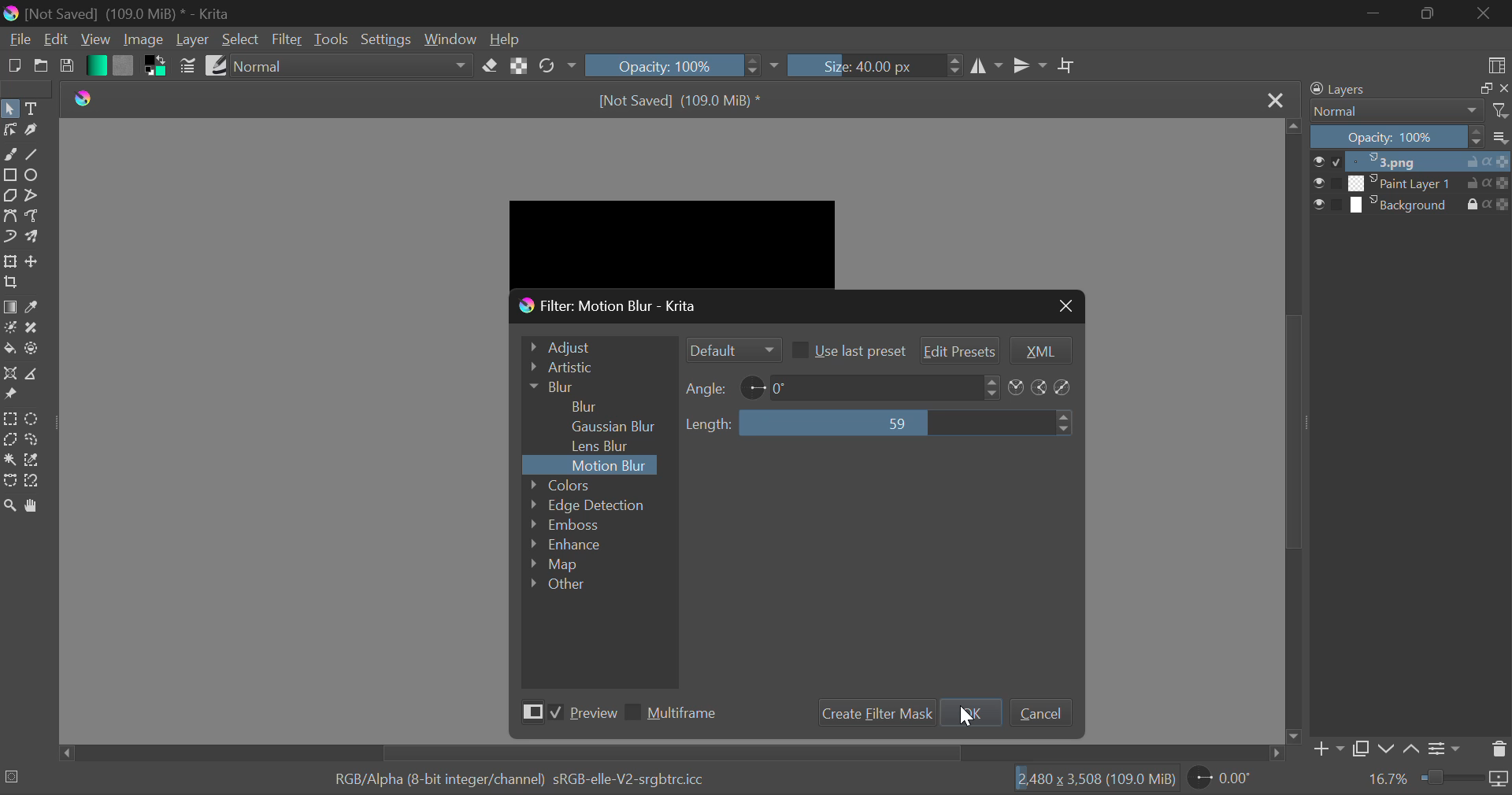 This screenshot has height=795, width=1512. What do you see at coordinates (35, 107) in the screenshot?
I see `Text` at bounding box center [35, 107].